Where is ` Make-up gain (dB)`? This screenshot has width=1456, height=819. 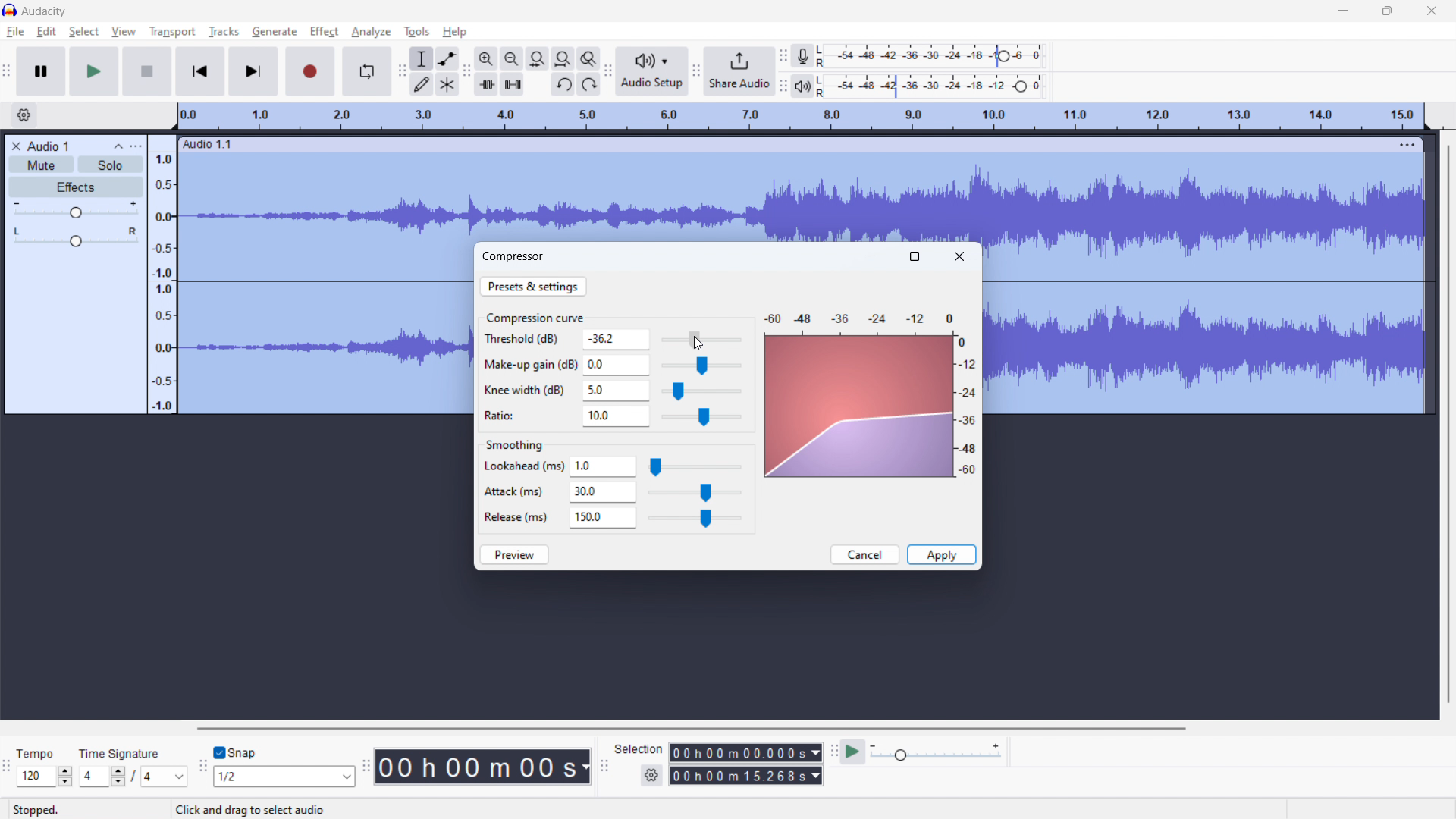
 Make-up gain (dB) is located at coordinates (529, 362).